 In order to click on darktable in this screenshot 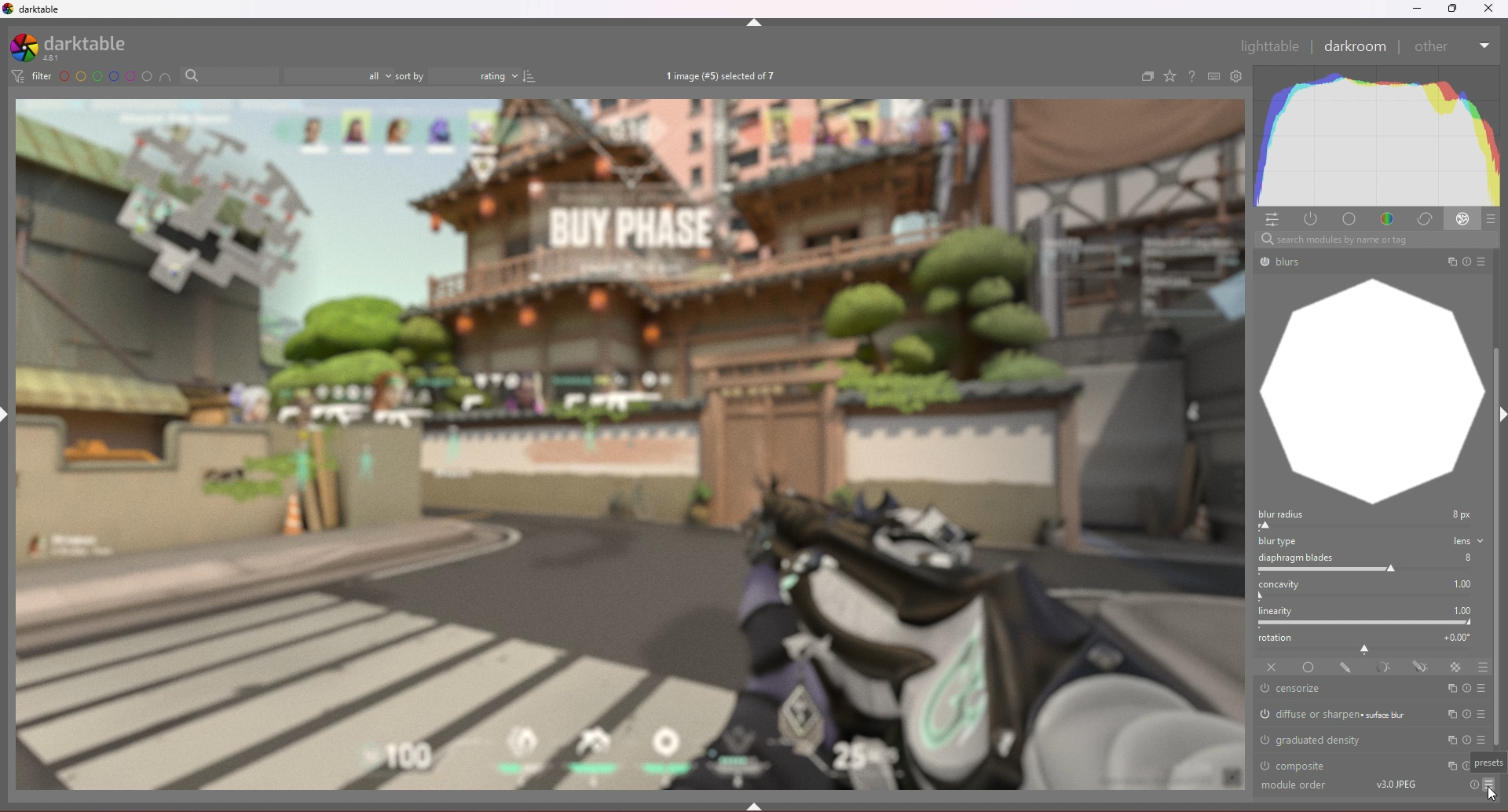, I will do `click(78, 47)`.